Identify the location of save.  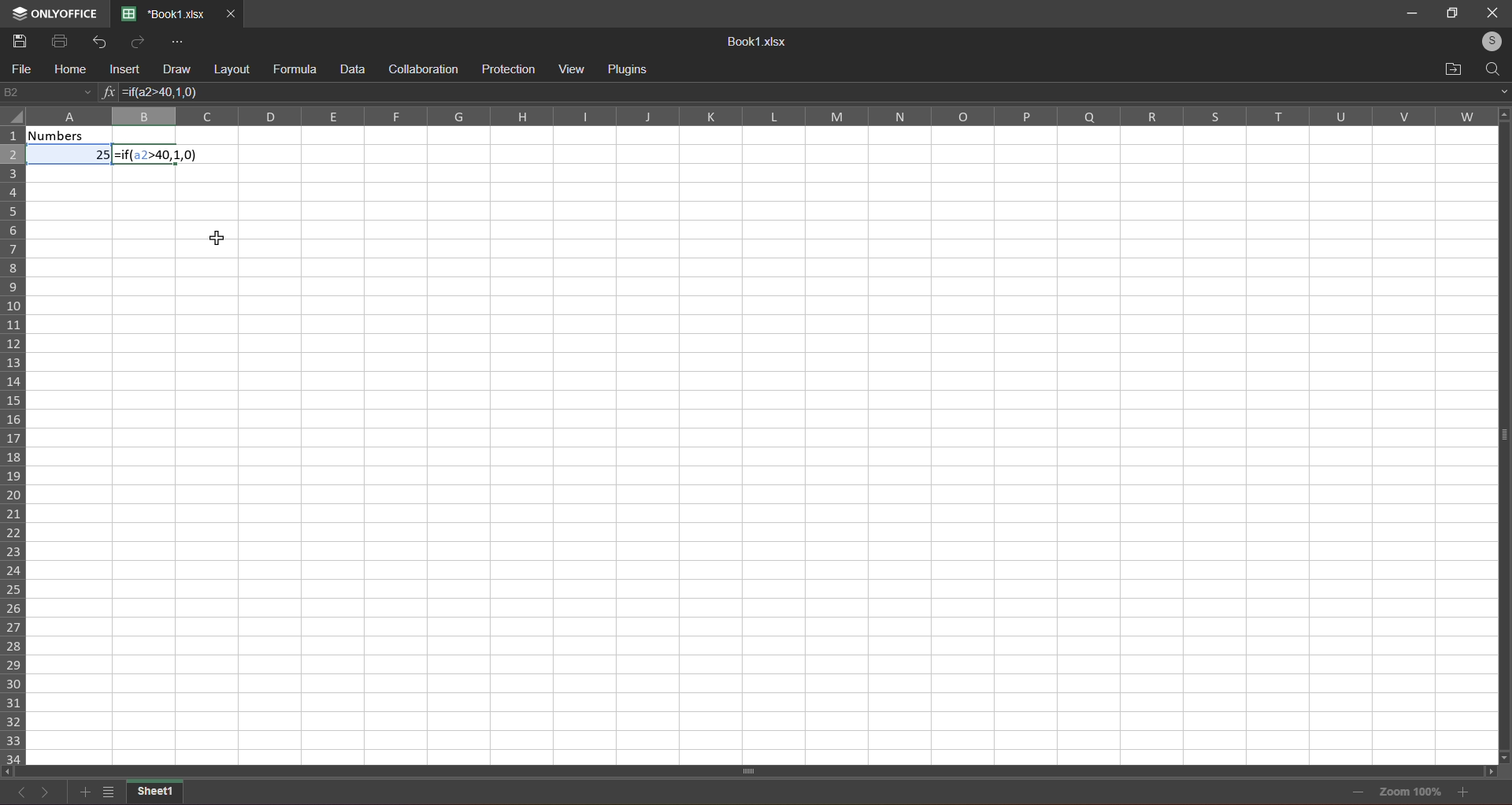
(18, 40).